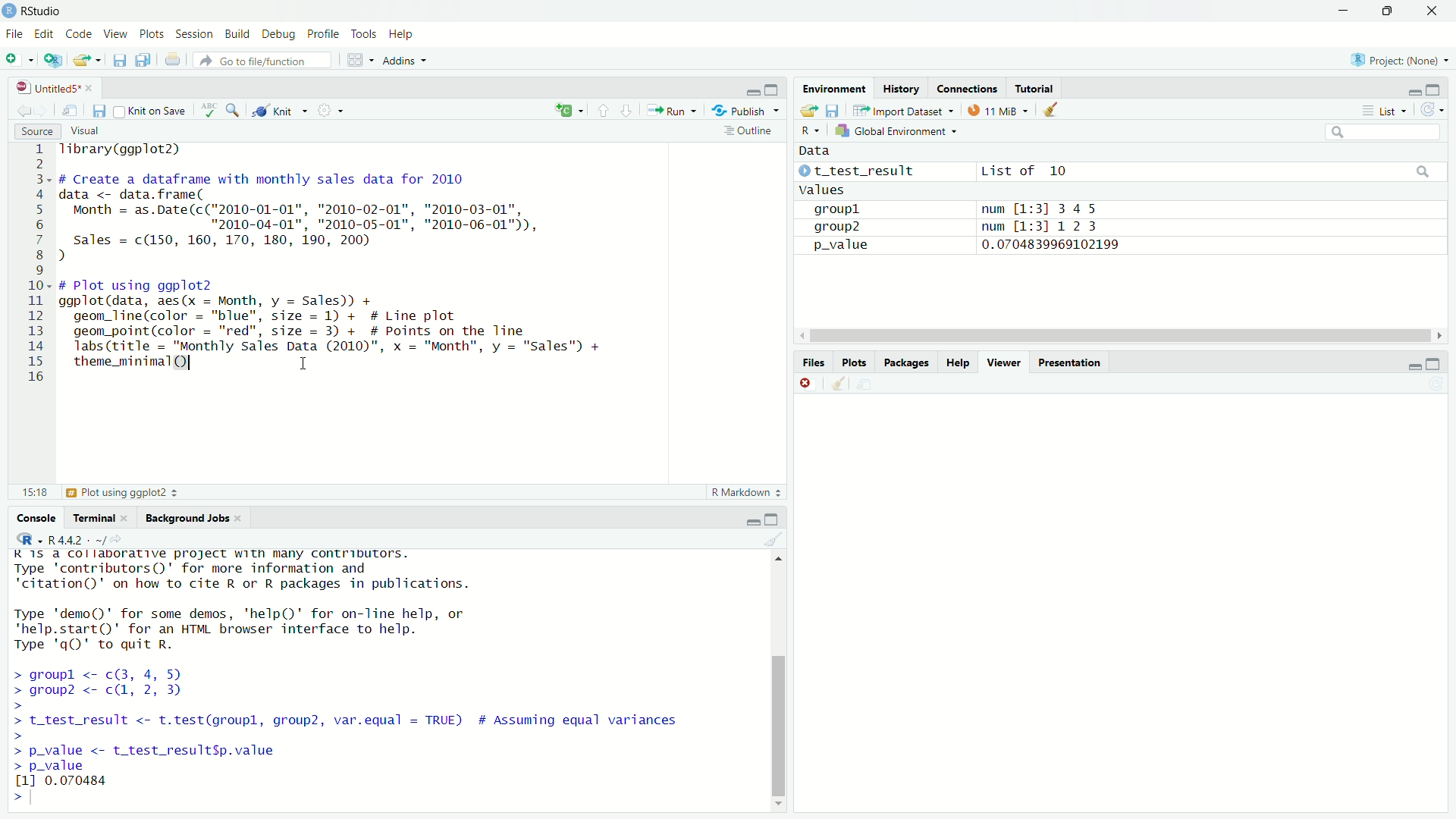 Image resolution: width=1456 pixels, height=819 pixels. I want to click on maximise, so click(1434, 89).